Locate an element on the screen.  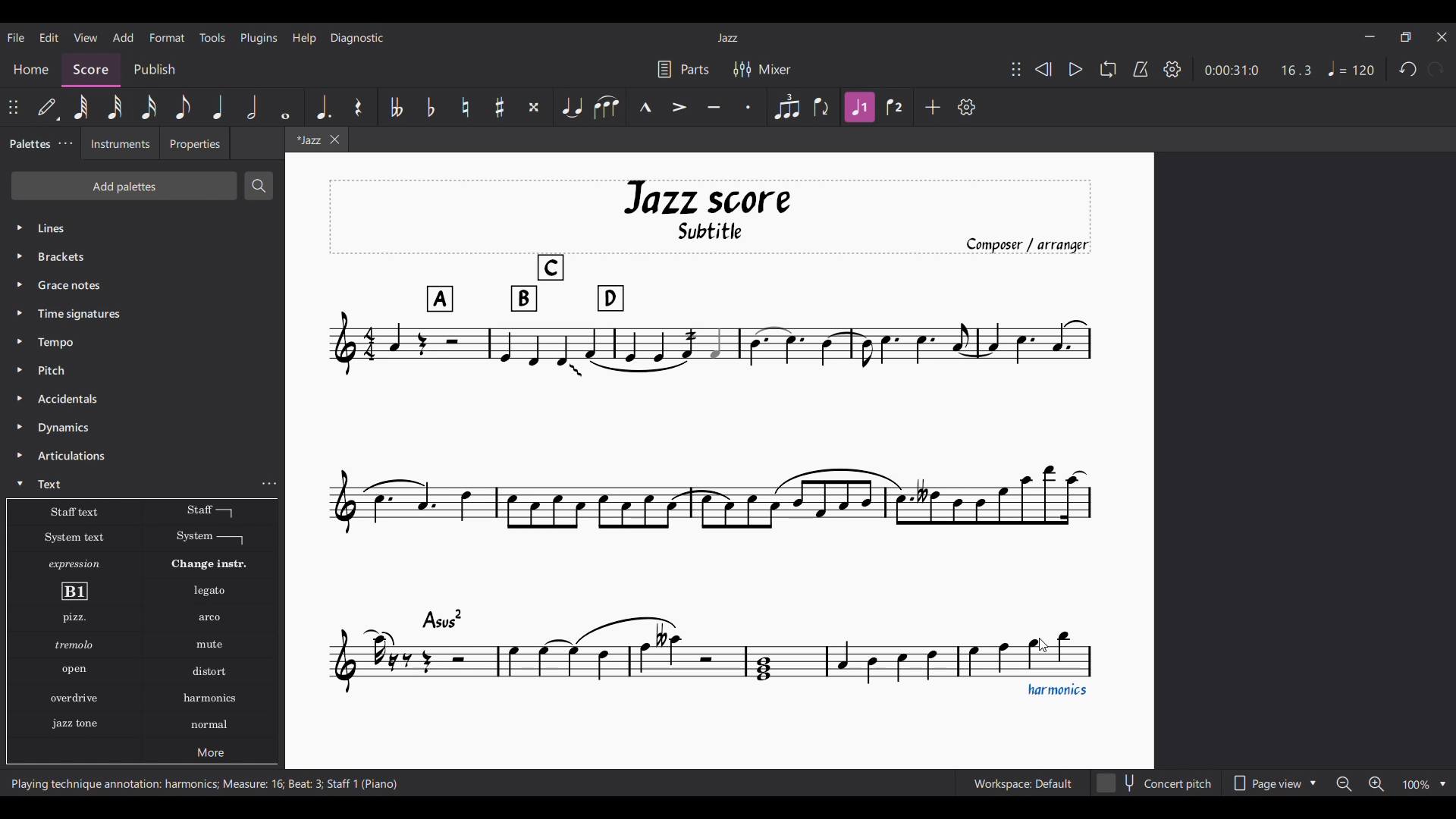
Close interface is located at coordinates (1442, 37).